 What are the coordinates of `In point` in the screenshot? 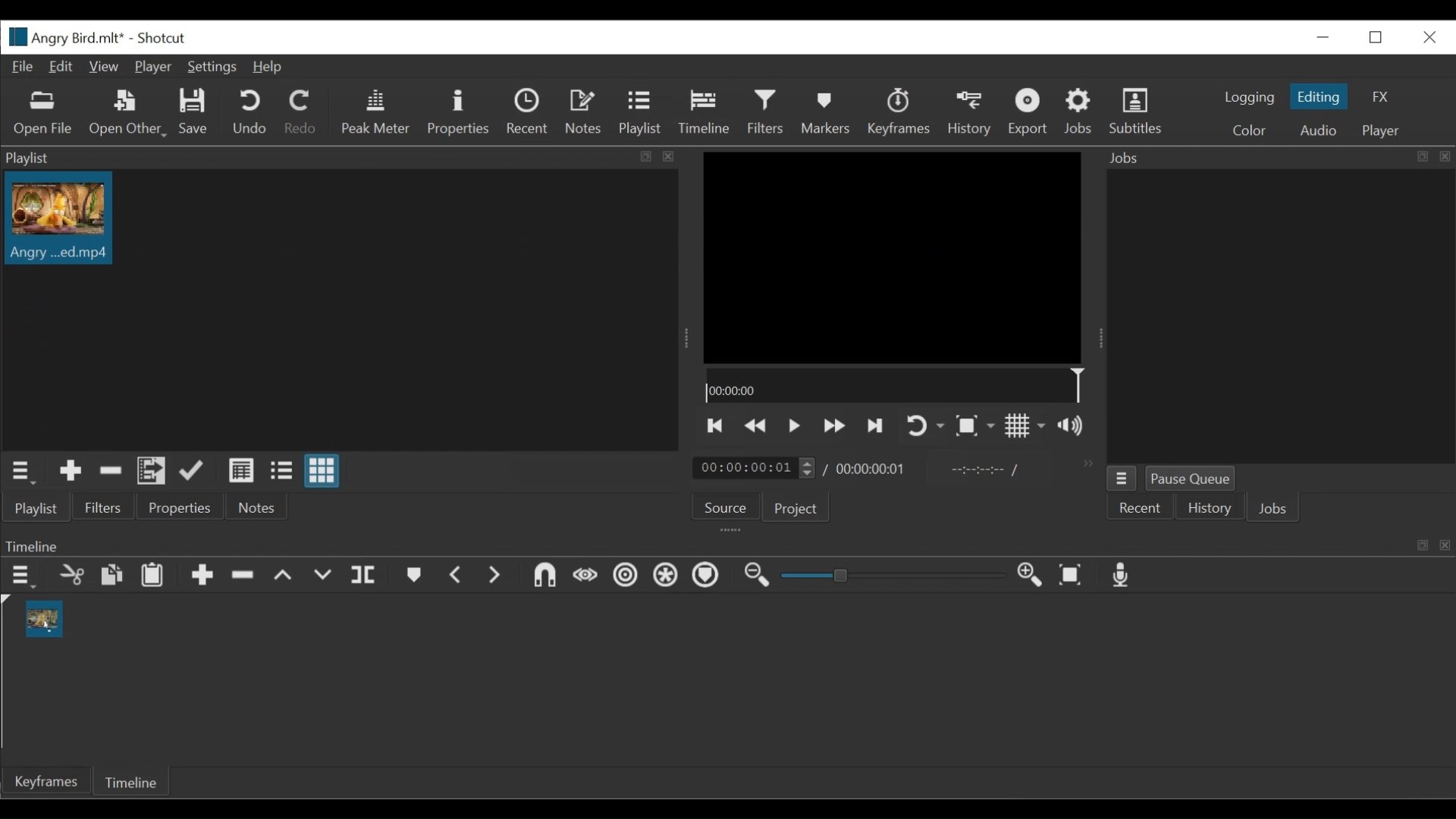 It's located at (984, 469).